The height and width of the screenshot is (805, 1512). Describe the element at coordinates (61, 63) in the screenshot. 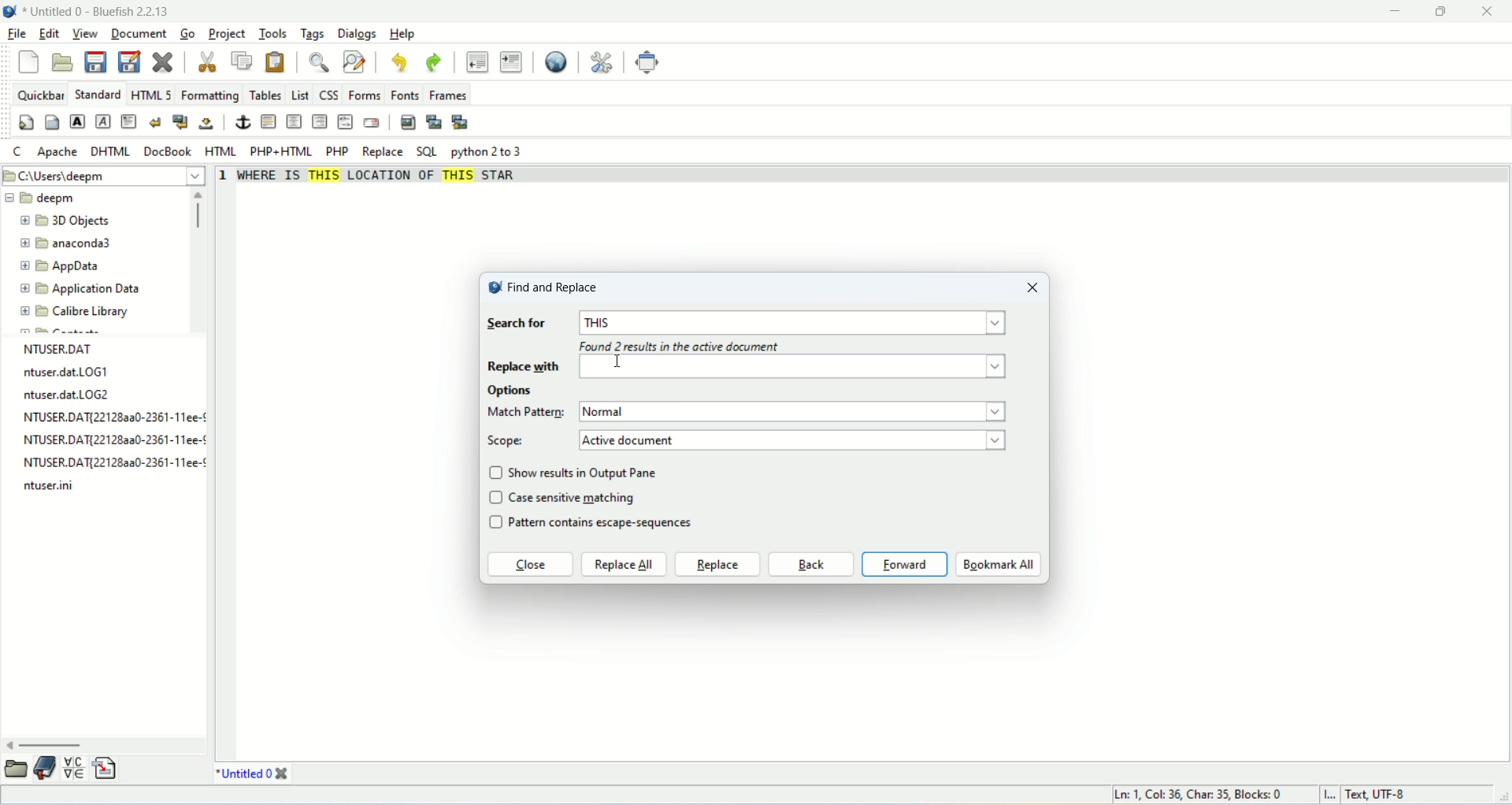

I see `open file` at that location.